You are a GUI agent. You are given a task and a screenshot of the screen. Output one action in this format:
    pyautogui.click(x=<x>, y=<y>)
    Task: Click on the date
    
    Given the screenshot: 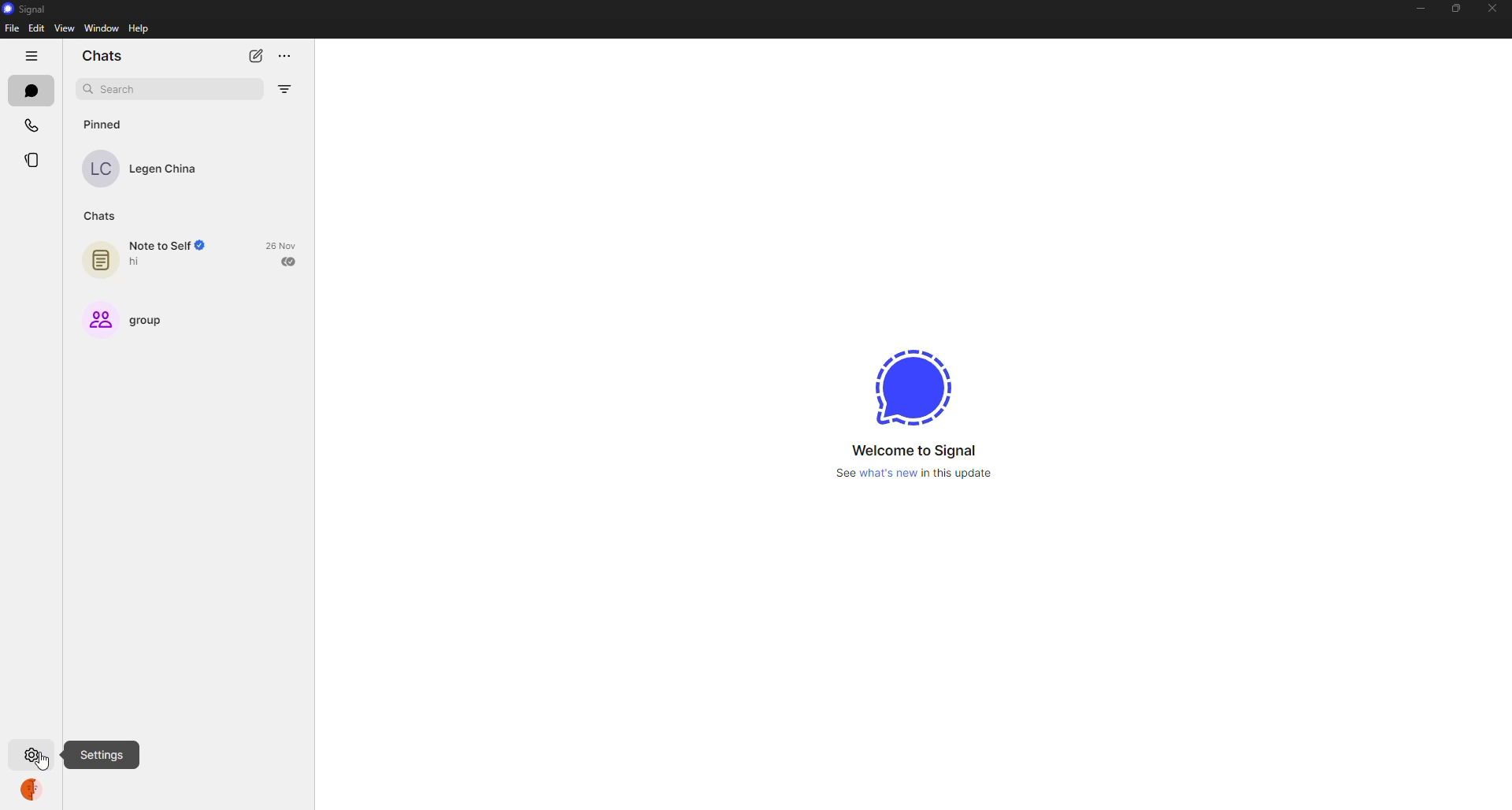 What is the action you would take?
    pyautogui.click(x=284, y=245)
    